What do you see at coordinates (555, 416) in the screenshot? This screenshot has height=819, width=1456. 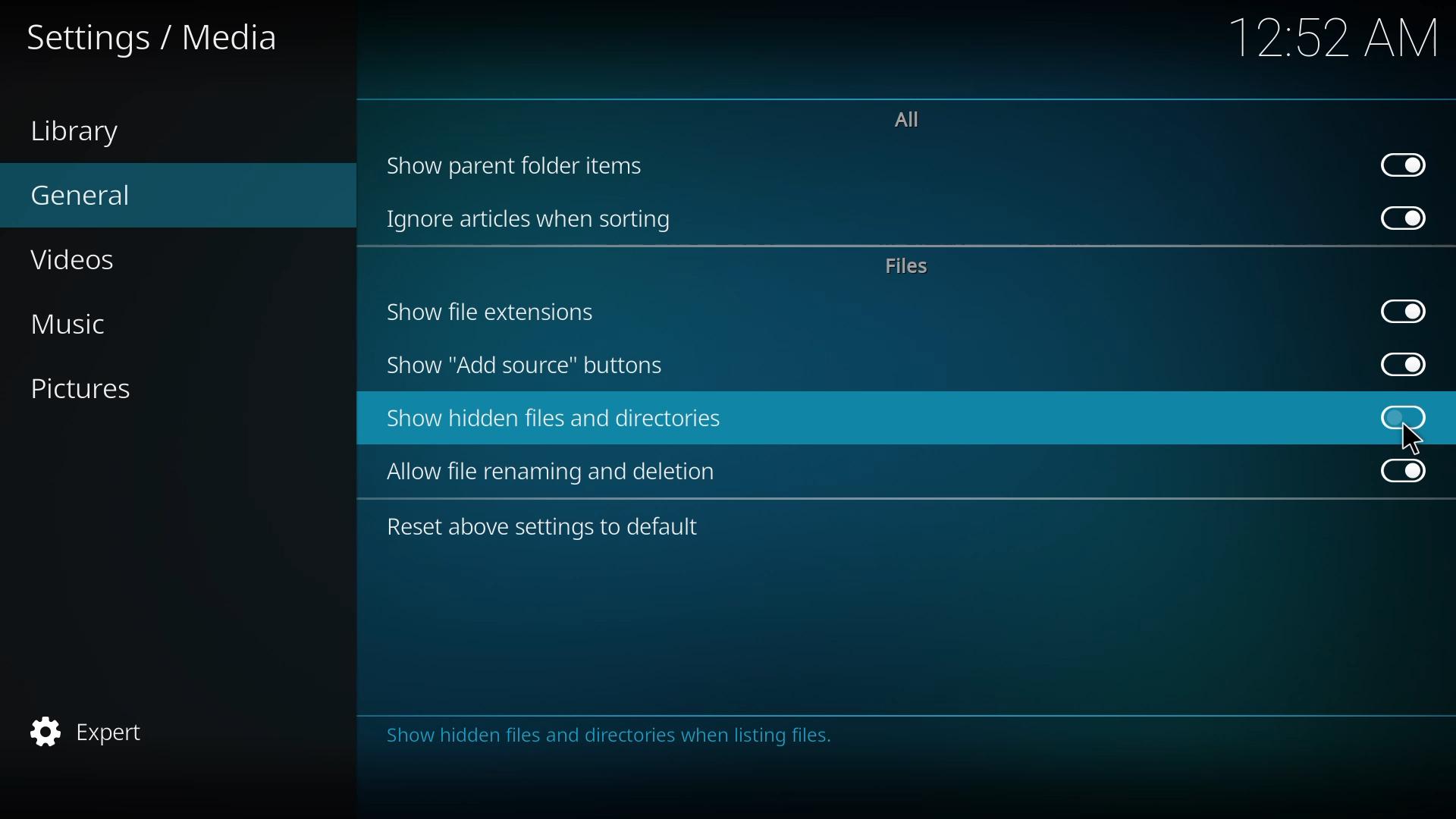 I see `show hidden files and directories` at bounding box center [555, 416].